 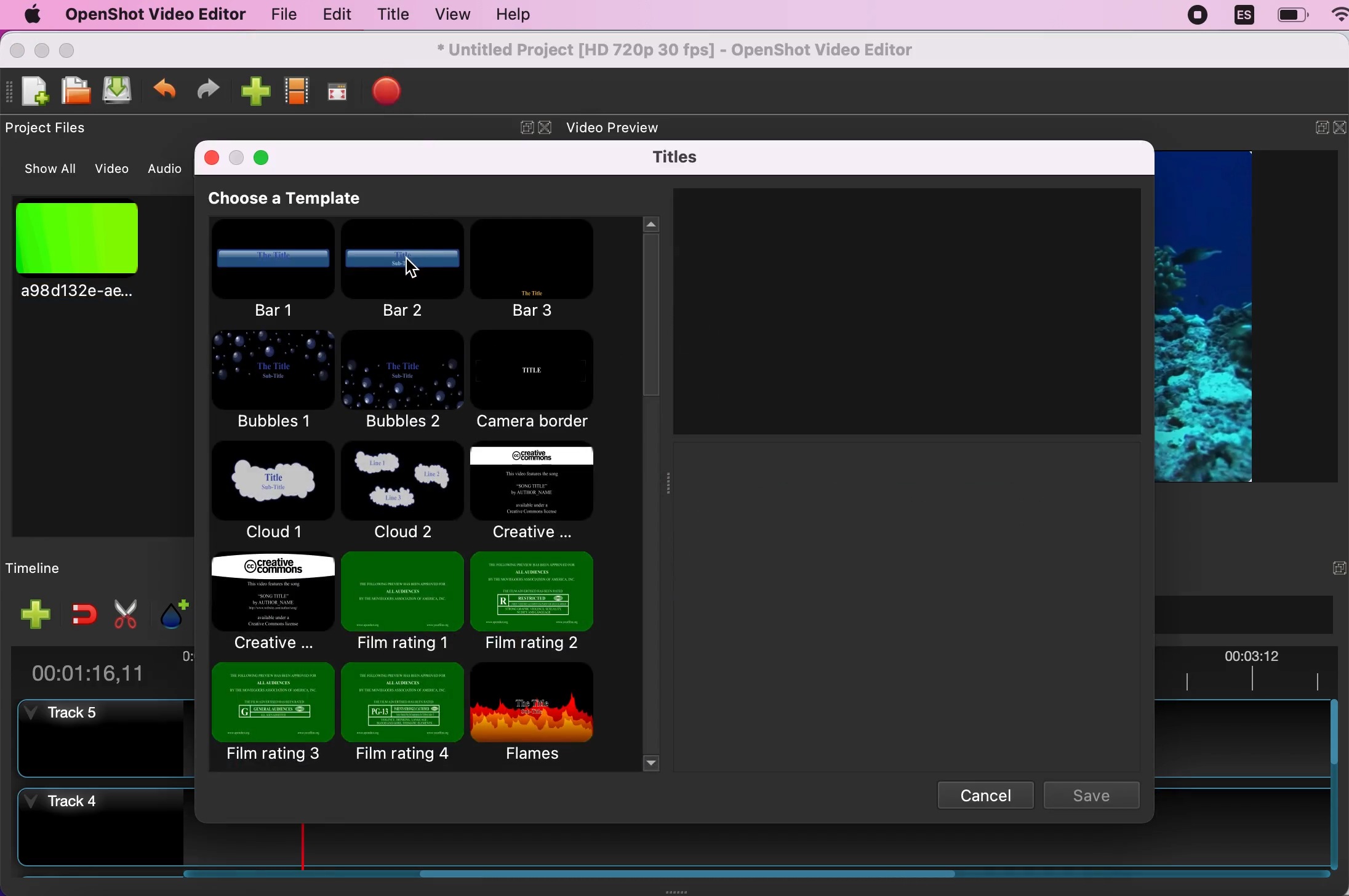 I want to click on battery, so click(x=1292, y=15).